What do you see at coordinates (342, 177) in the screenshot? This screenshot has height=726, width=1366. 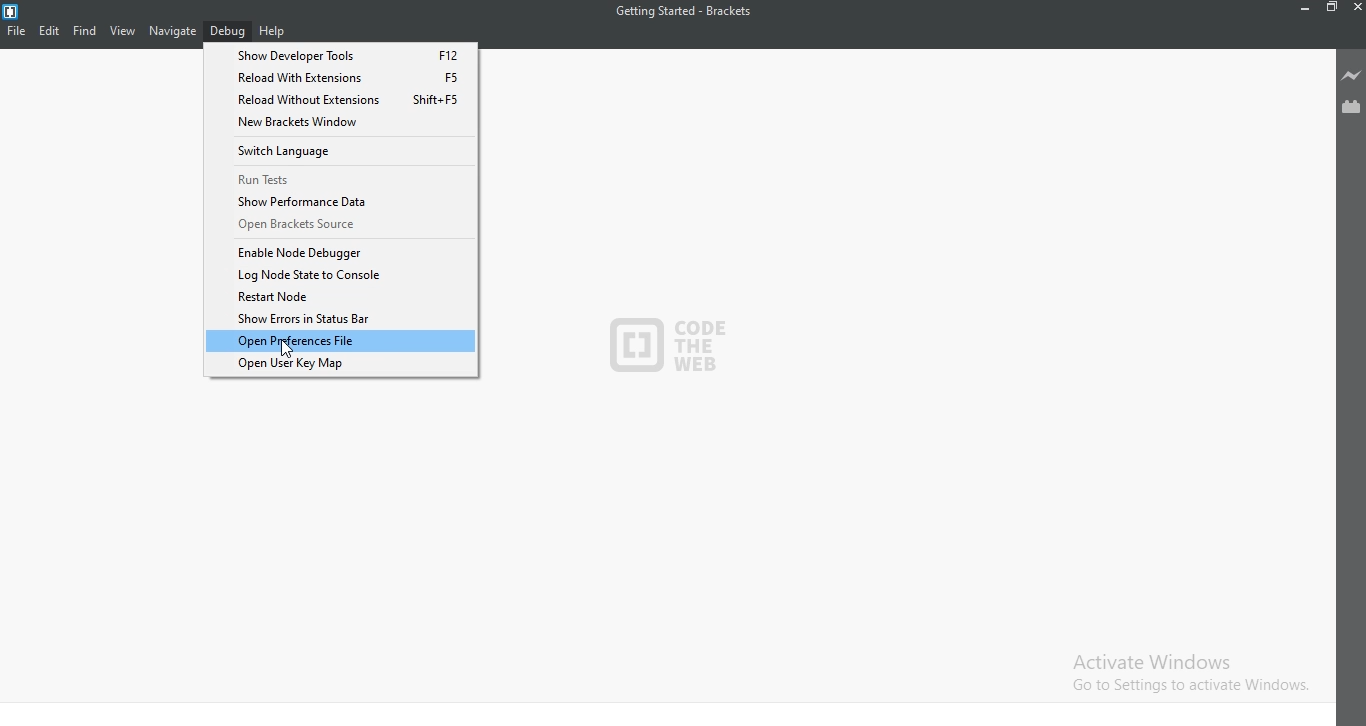 I see `run tests` at bounding box center [342, 177].